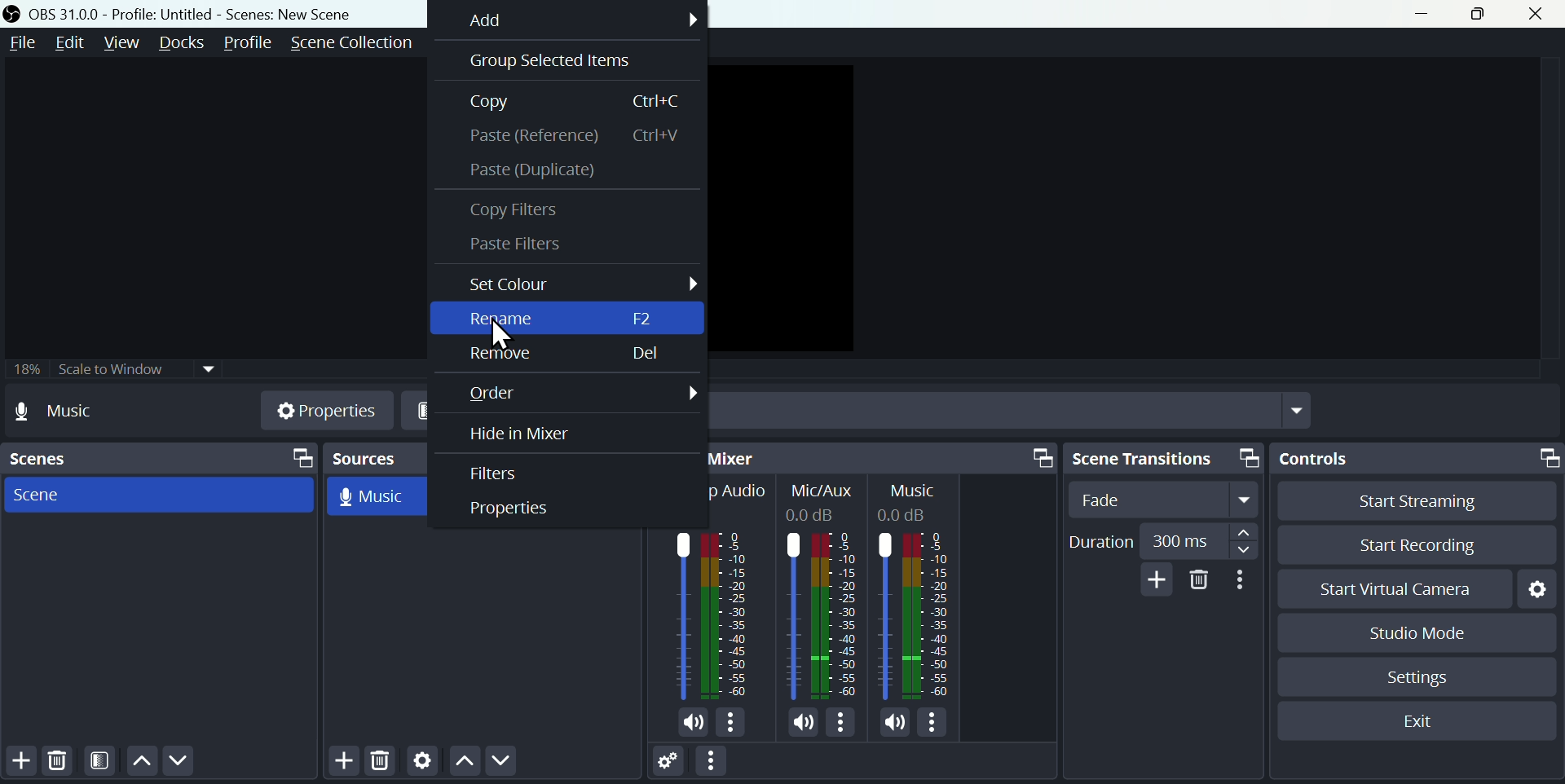  Describe the element at coordinates (1540, 12) in the screenshot. I see `close` at that location.